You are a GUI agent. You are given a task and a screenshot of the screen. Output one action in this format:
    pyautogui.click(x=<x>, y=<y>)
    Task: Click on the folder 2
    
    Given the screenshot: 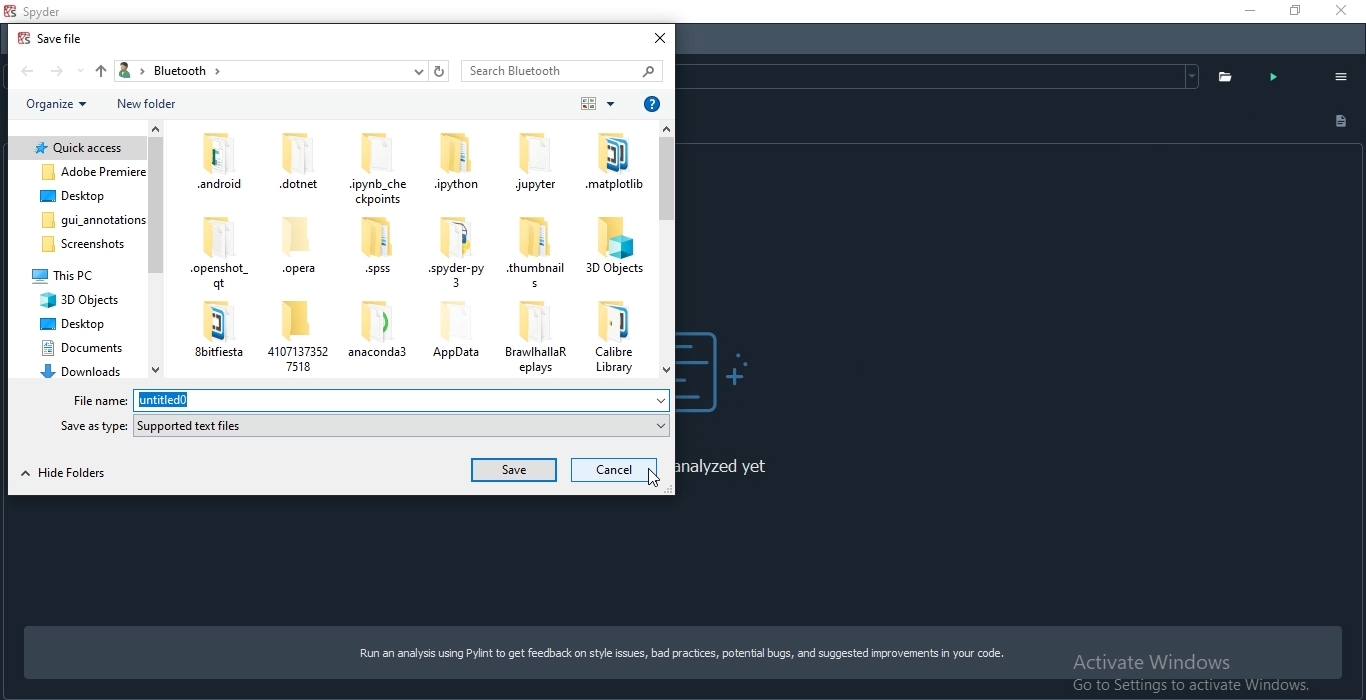 What is the action you would take?
    pyautogui.click(x=78, y=175)
    